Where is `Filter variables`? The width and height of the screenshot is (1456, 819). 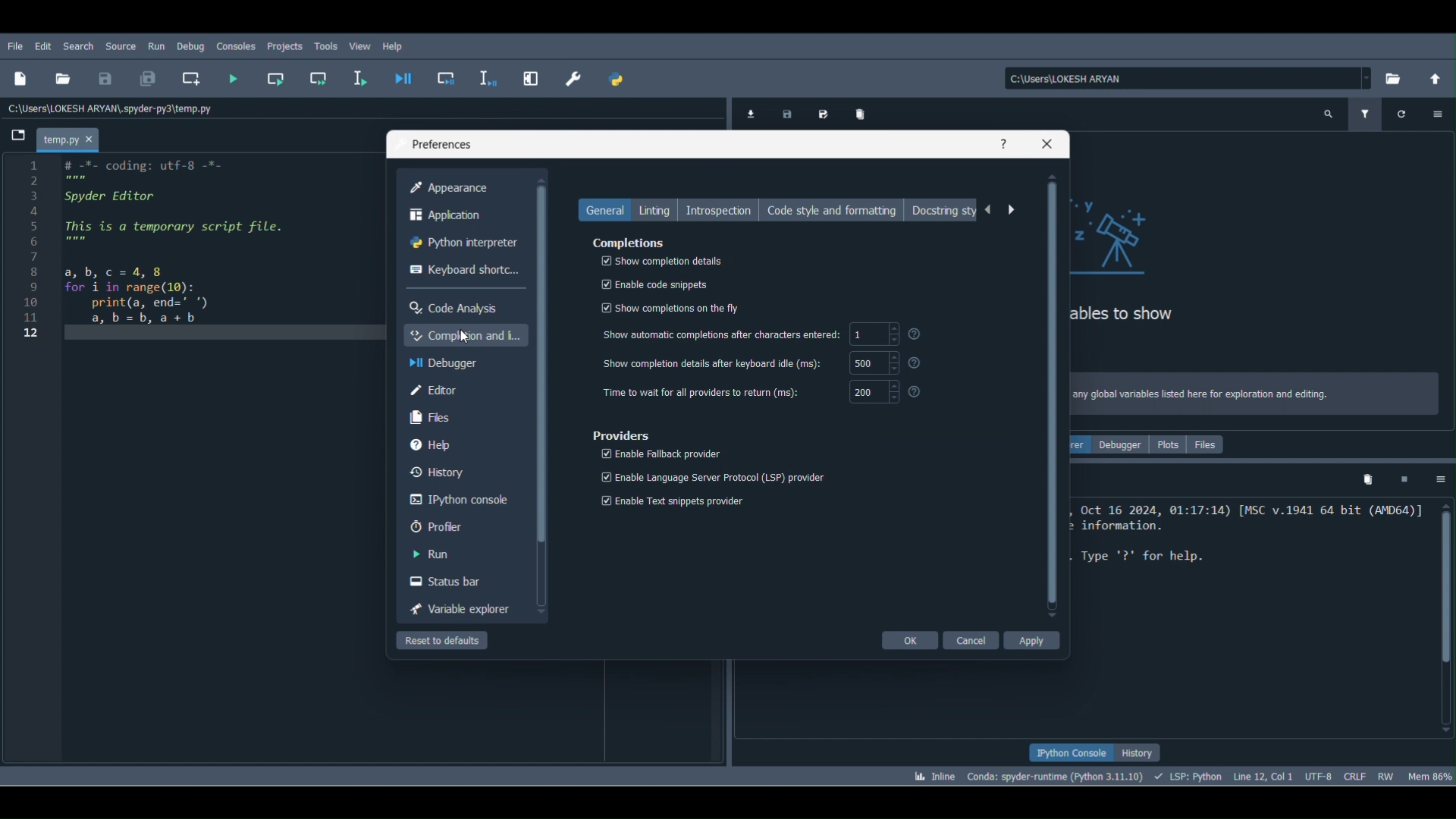 Filter variables is located at coordinates (1368, 111).